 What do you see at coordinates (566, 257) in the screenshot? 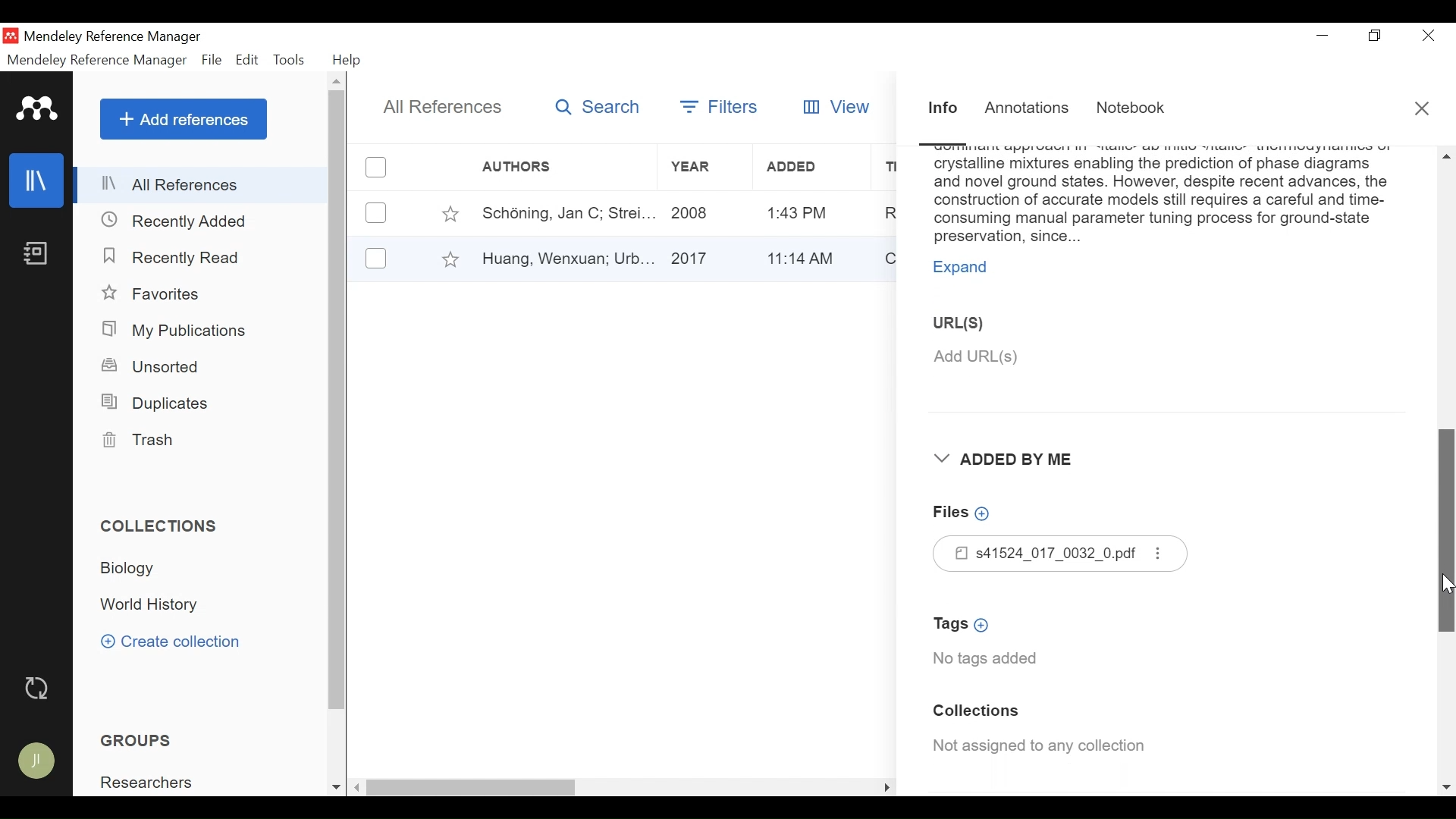
I see `Author` at bounding box center [566, 257].